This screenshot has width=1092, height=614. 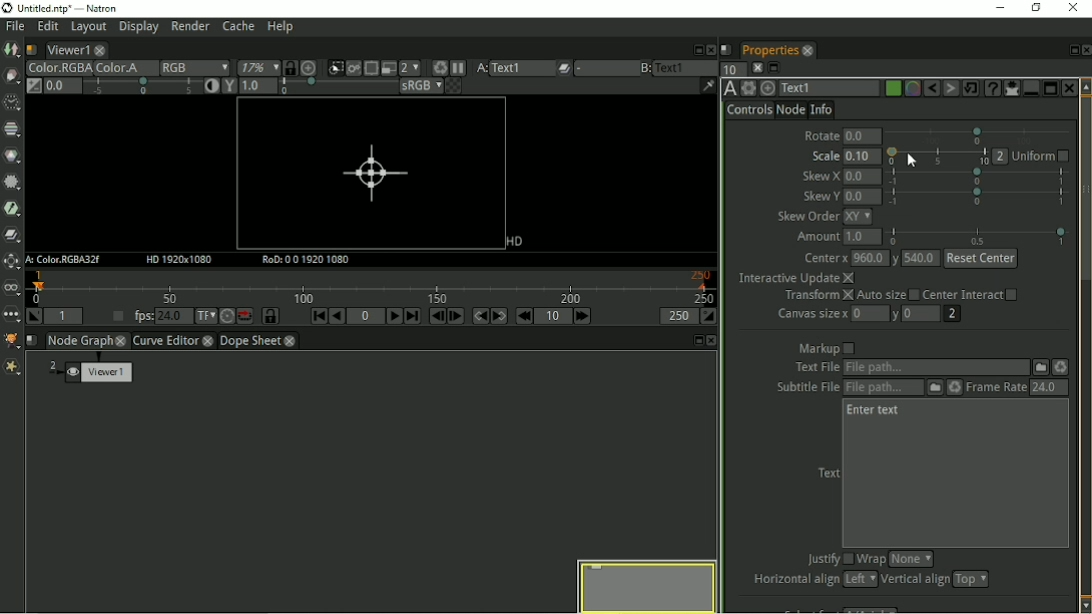 What do you see at coordinates (827, 348) in the screenshot?
I see `Markup` at bounding box center [827, 348].